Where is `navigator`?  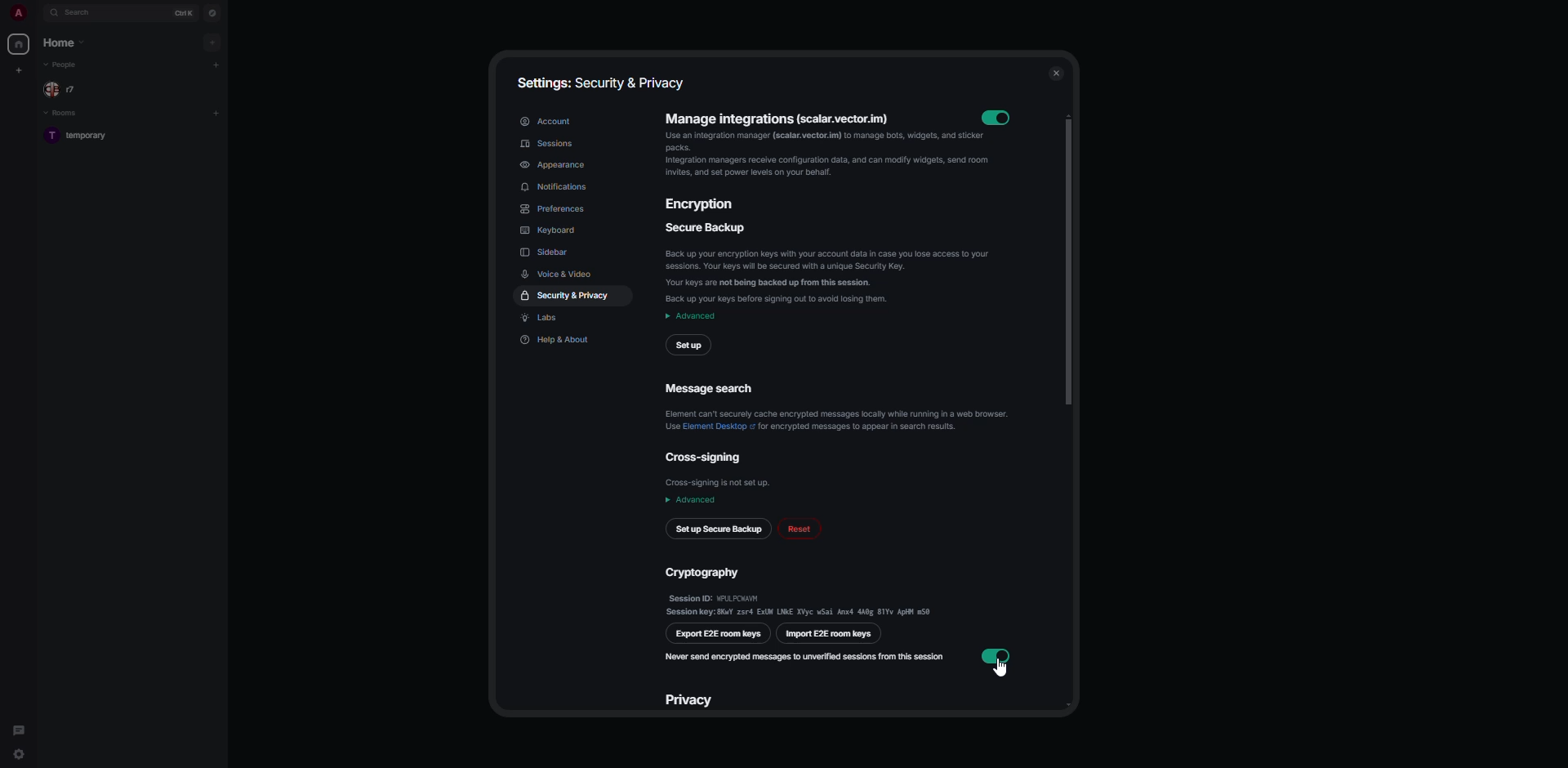
navigator is located at coordinates (213, 12).